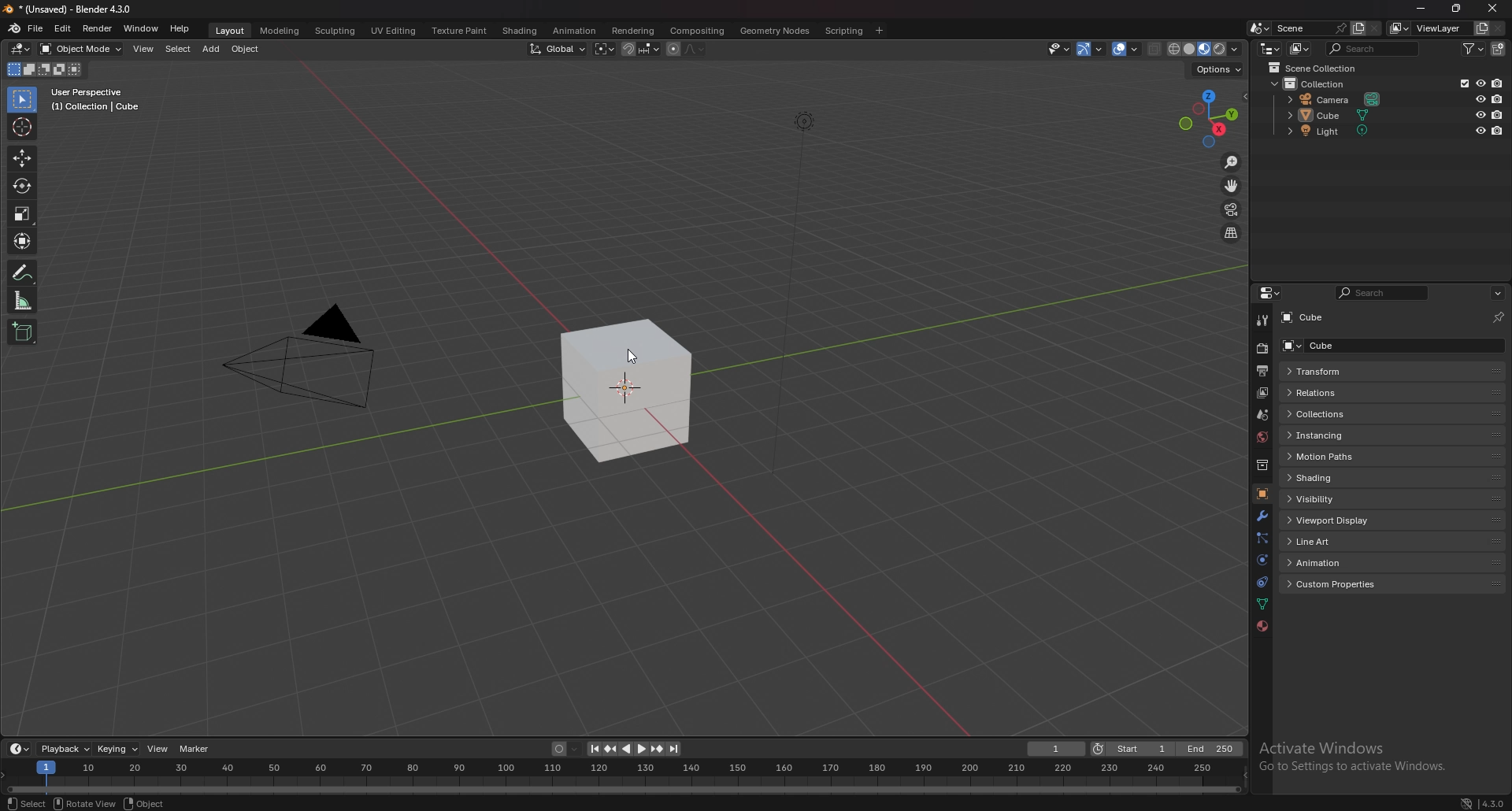  What do you see at coordinates (1461, 83) in the screenshot?
I see `exclude from view layer` at bounding box center [1461, 83].